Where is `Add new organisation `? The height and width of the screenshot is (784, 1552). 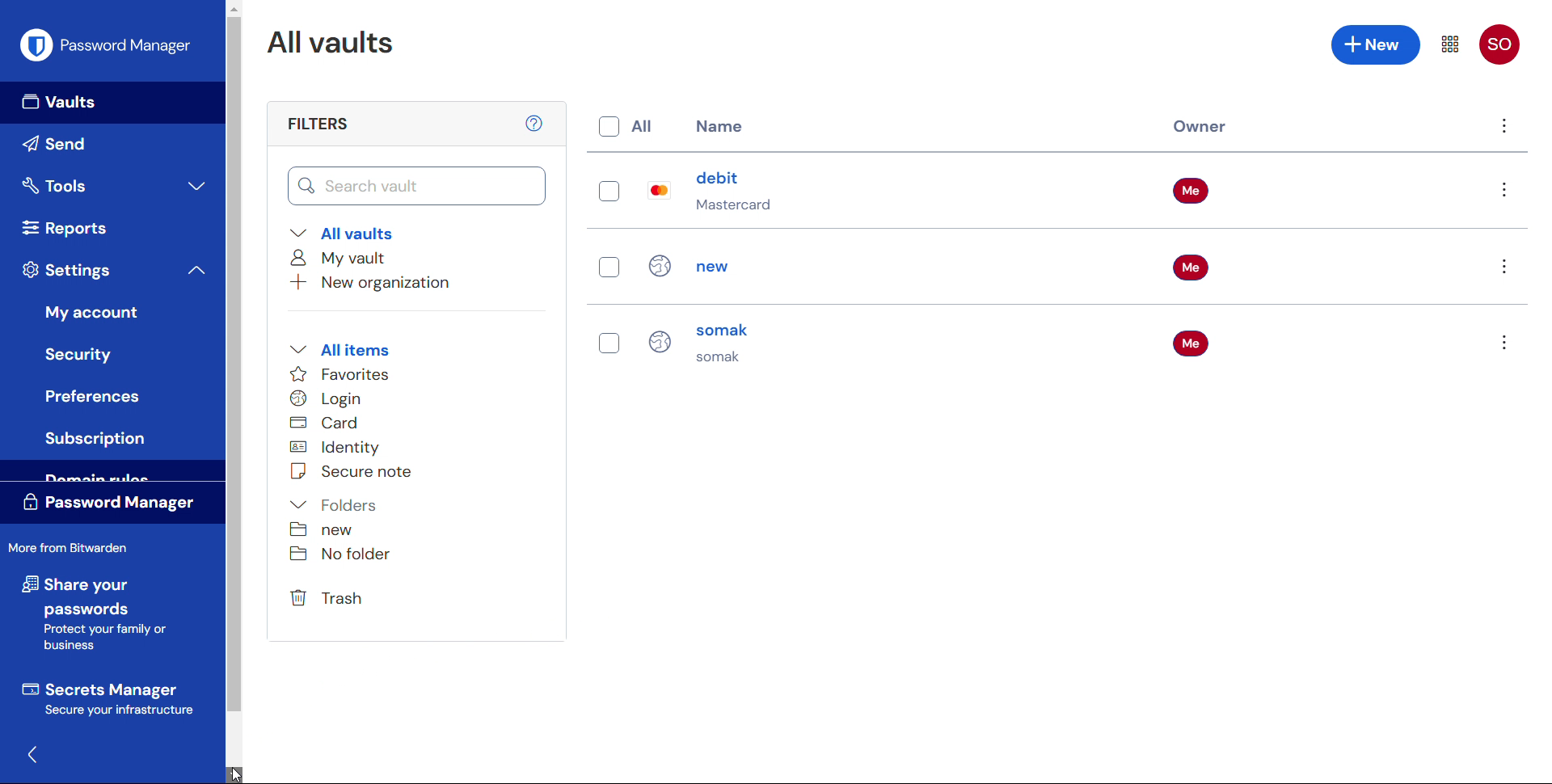 Add new organisation  is located at coordinates (382, 283).